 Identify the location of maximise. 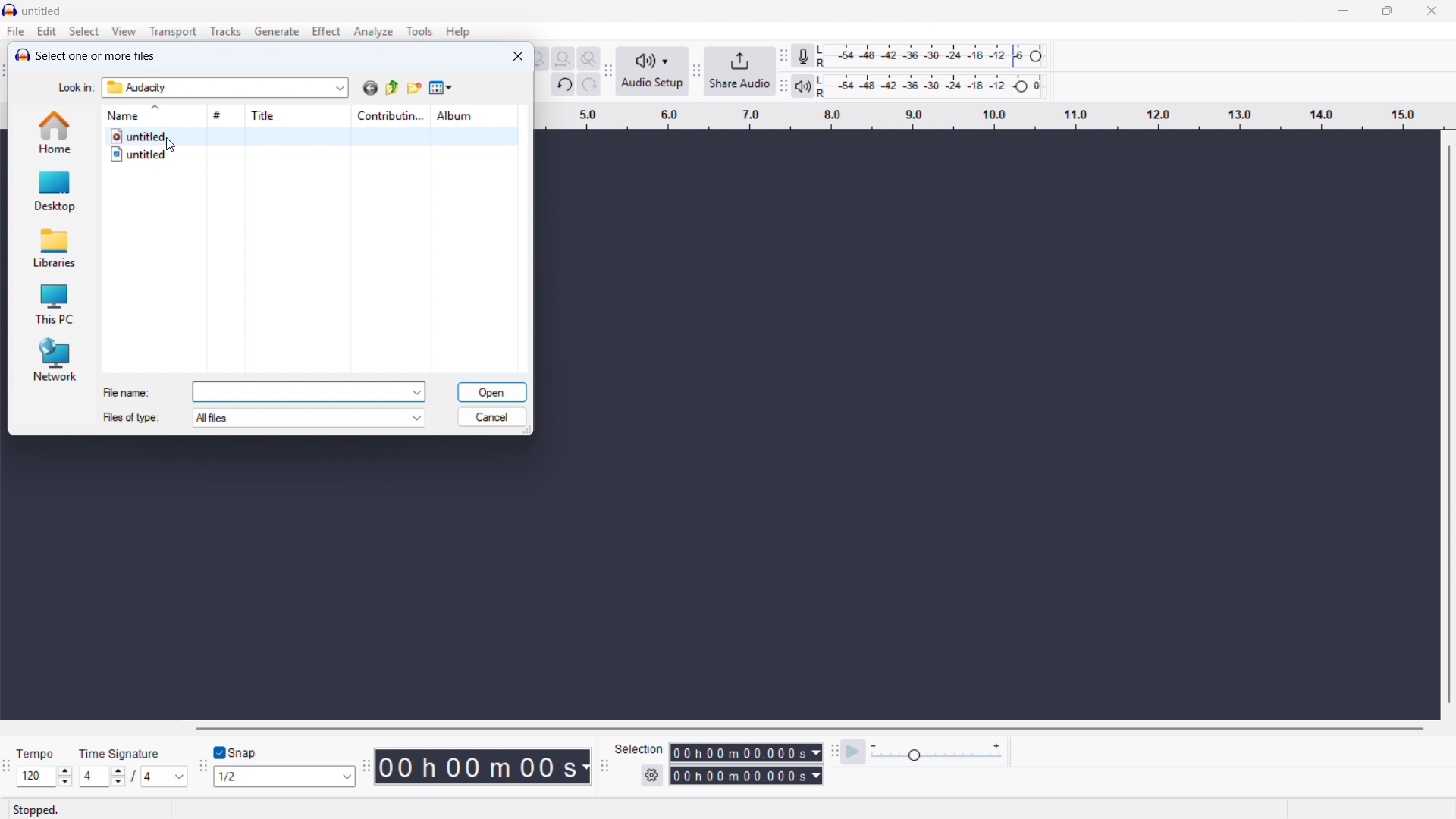
(1389, 11).